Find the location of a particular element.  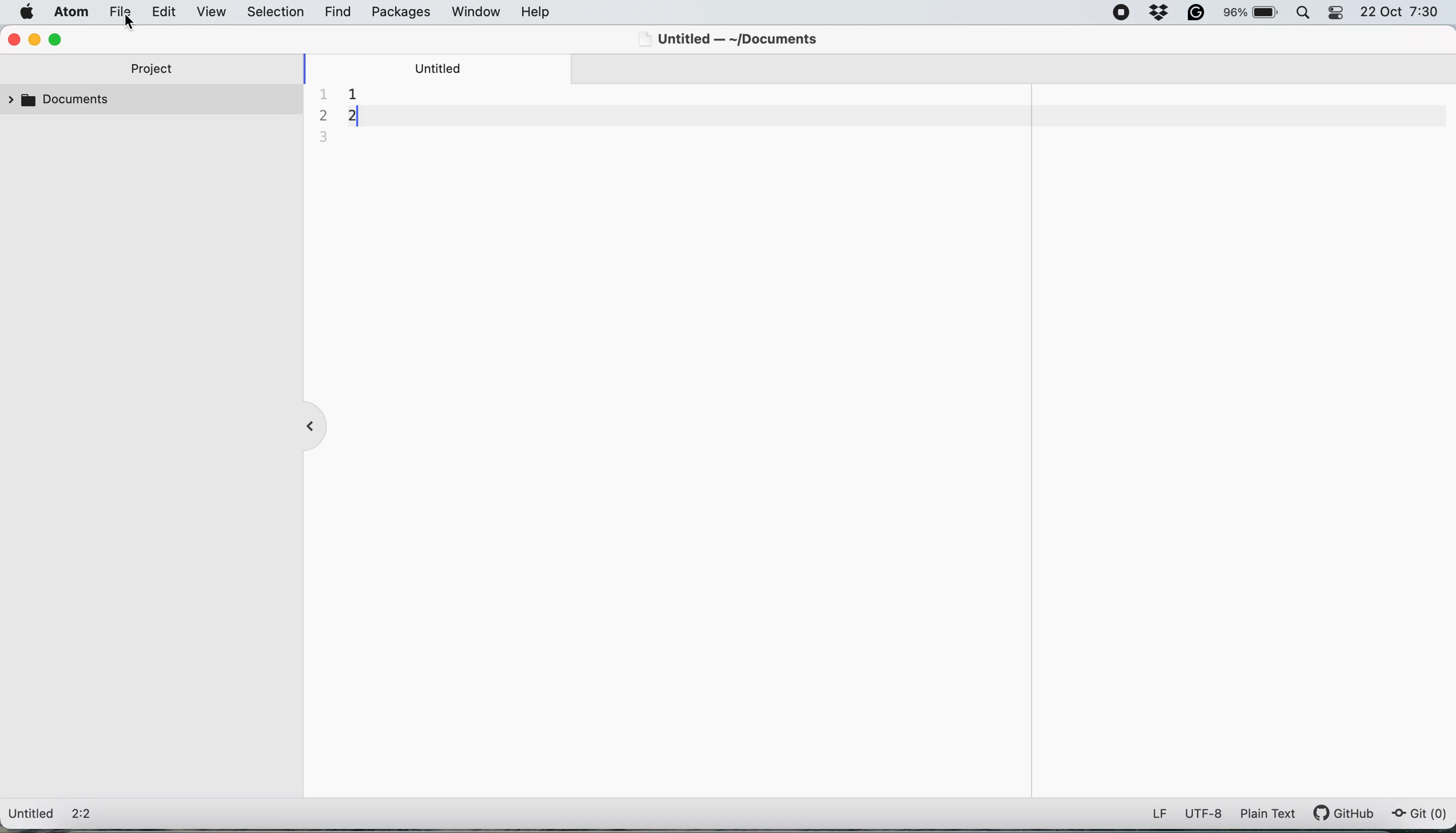

collapse is located at coordinates (315, 425).